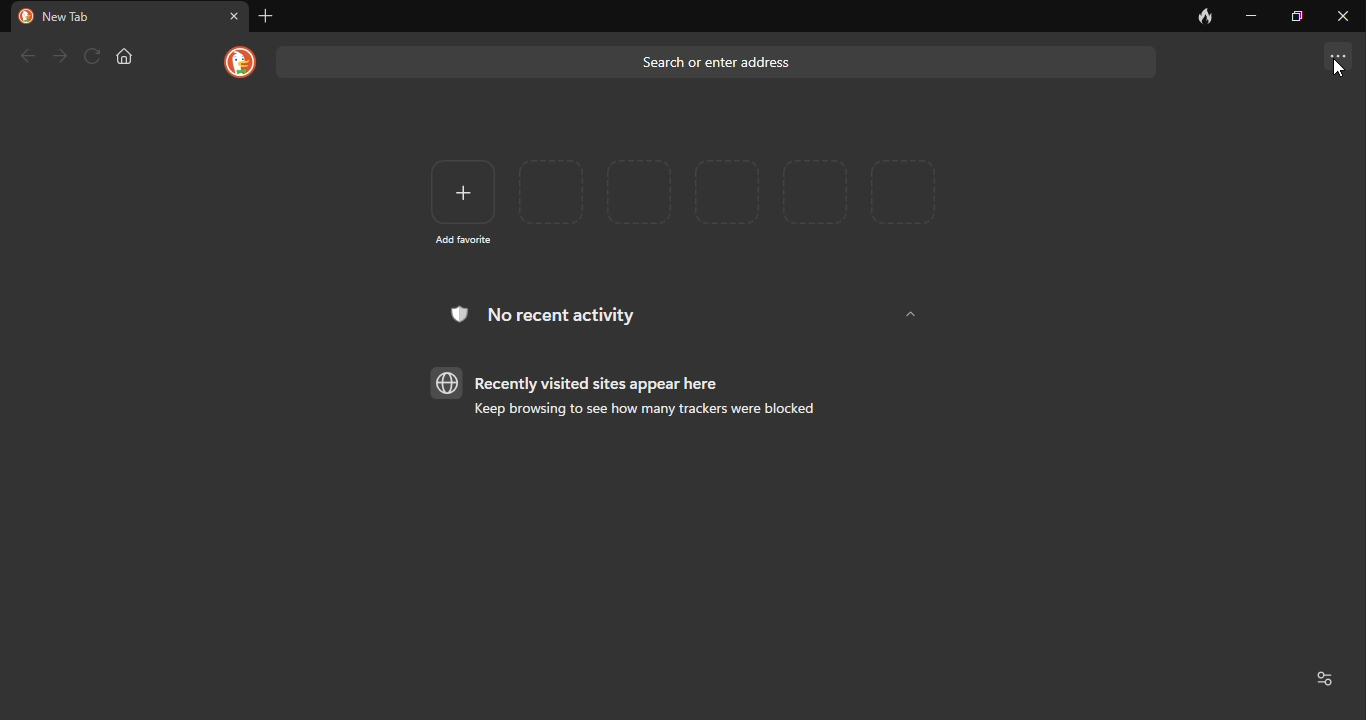 The width and height of the screenshot is (1366, 720). I want to click on no recent activity, so click(560, 318).